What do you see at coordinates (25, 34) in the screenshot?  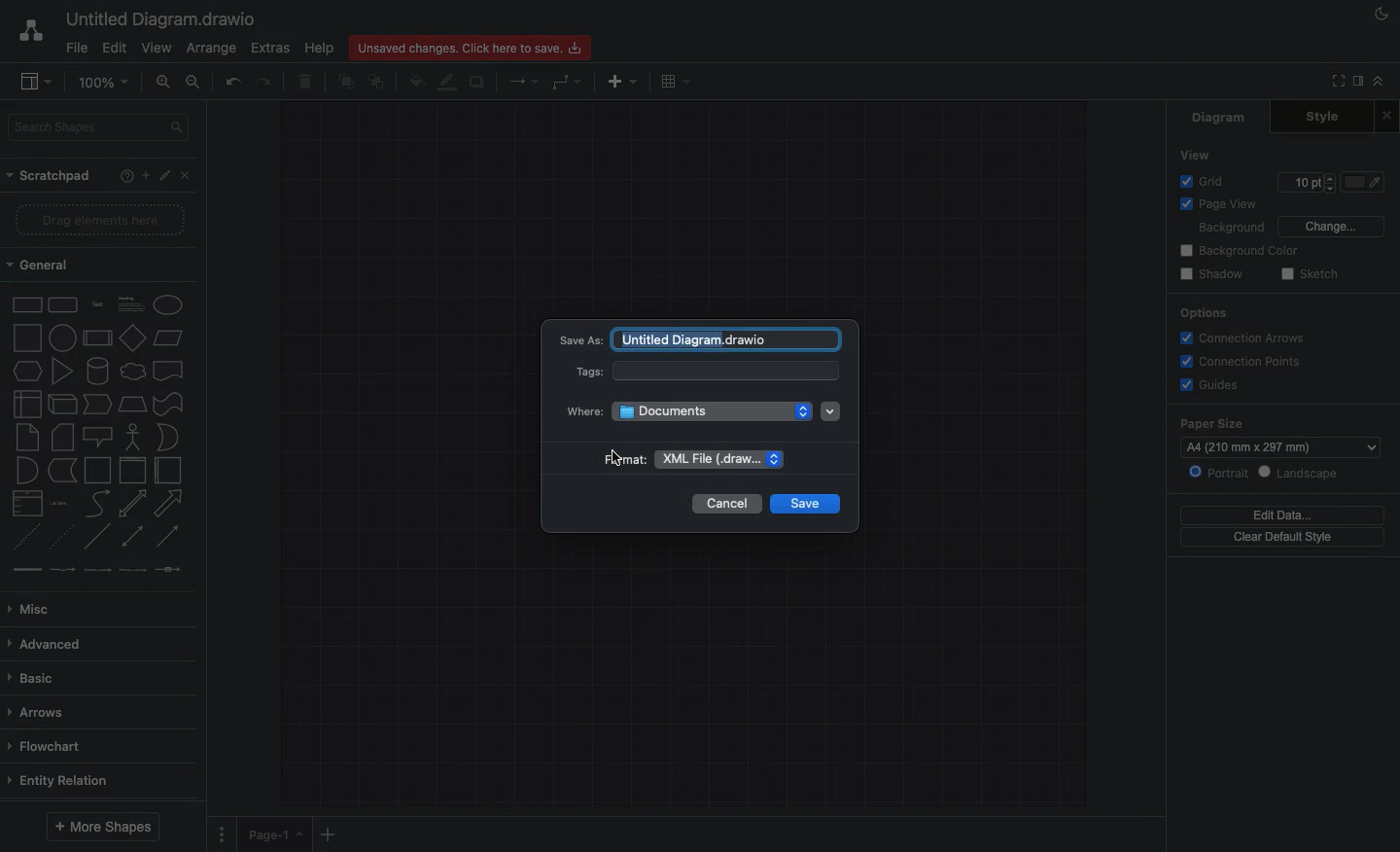 I see `Draw.io` at bounding box center [25, 34].